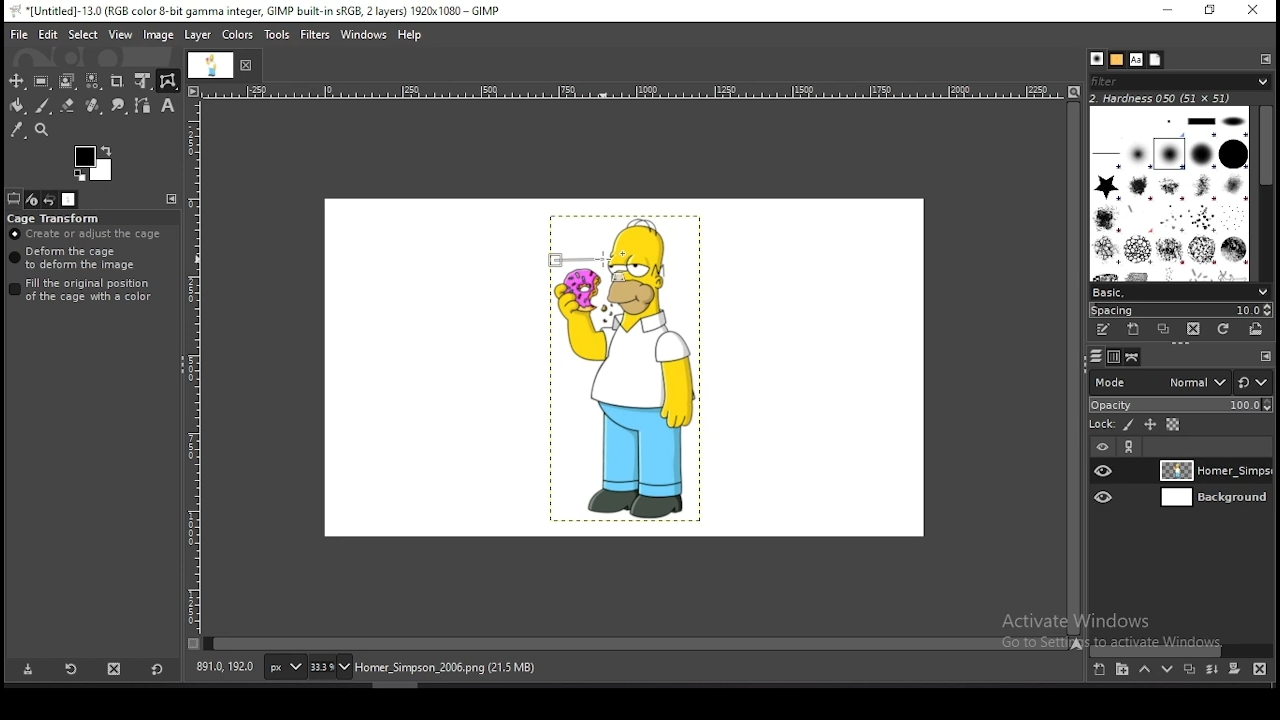 This screenshot has width=1280, height=720. What do you see at coordinates (167, 106) in the screenshot?
I see `text tool` at bounding box center [167, 106].